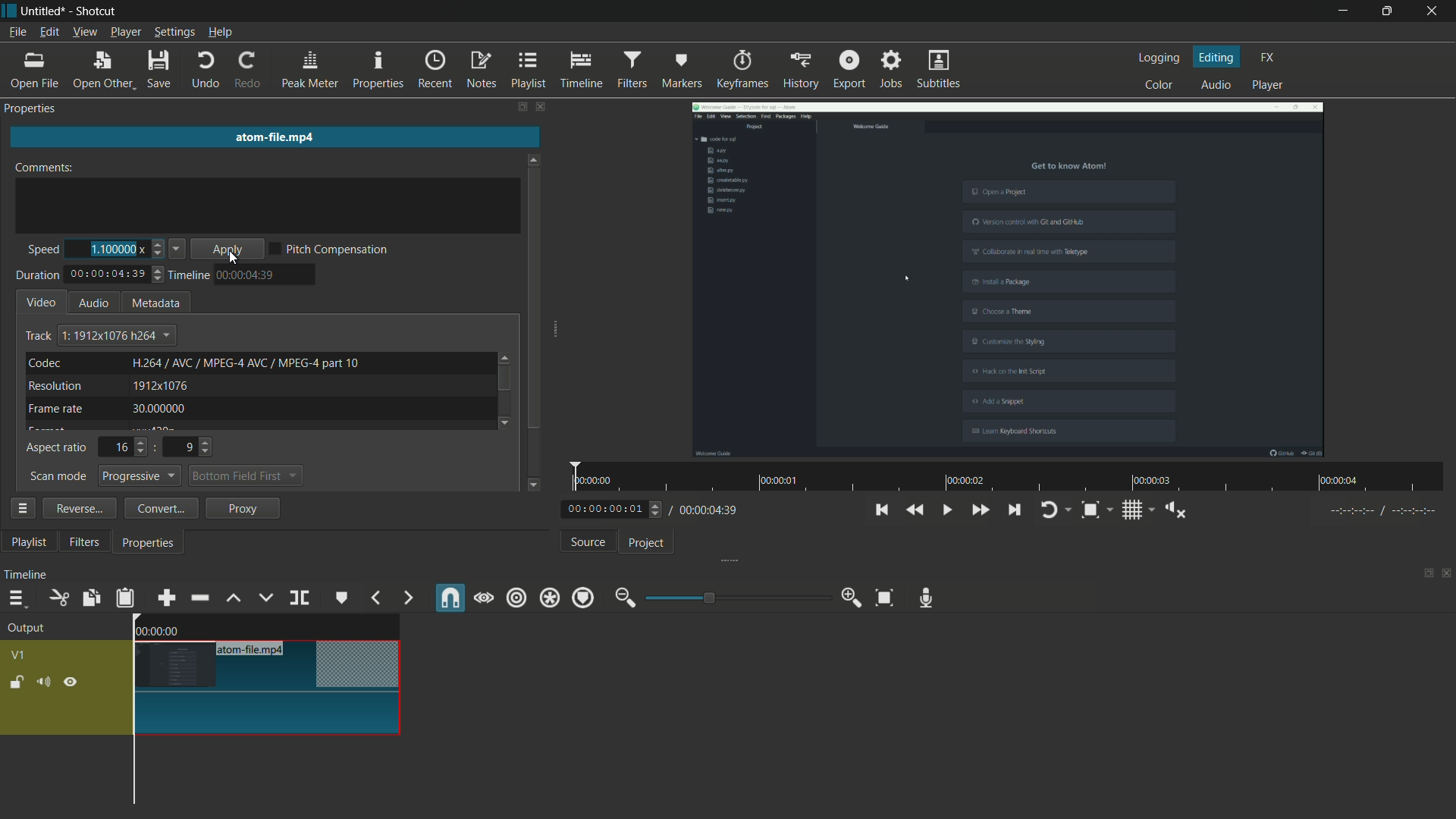 The height and width of the screenshot is (819, 1456). I want to click on cut, so click(58, 598).